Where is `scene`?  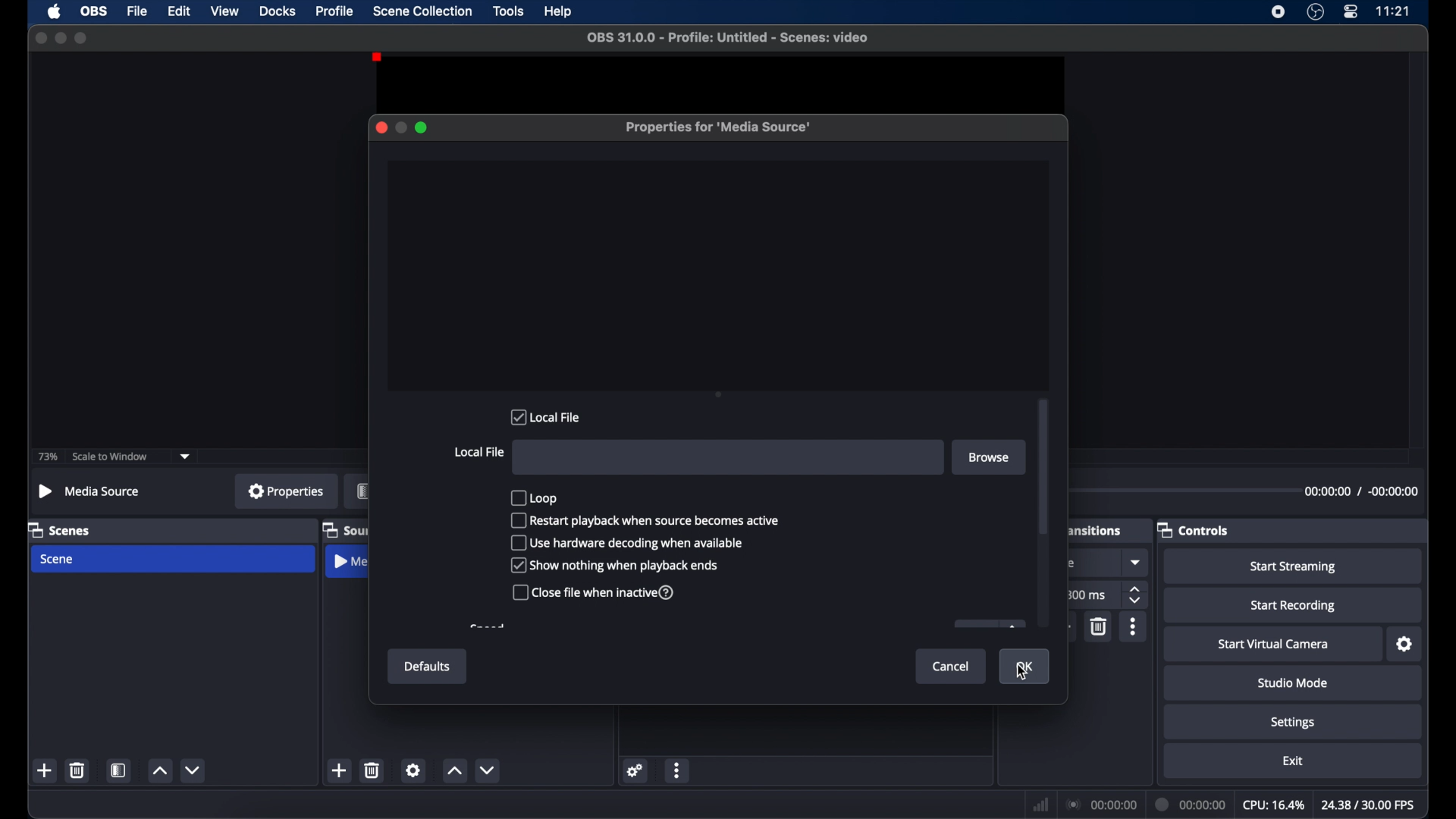 scene is located at coordinates (59, 560).